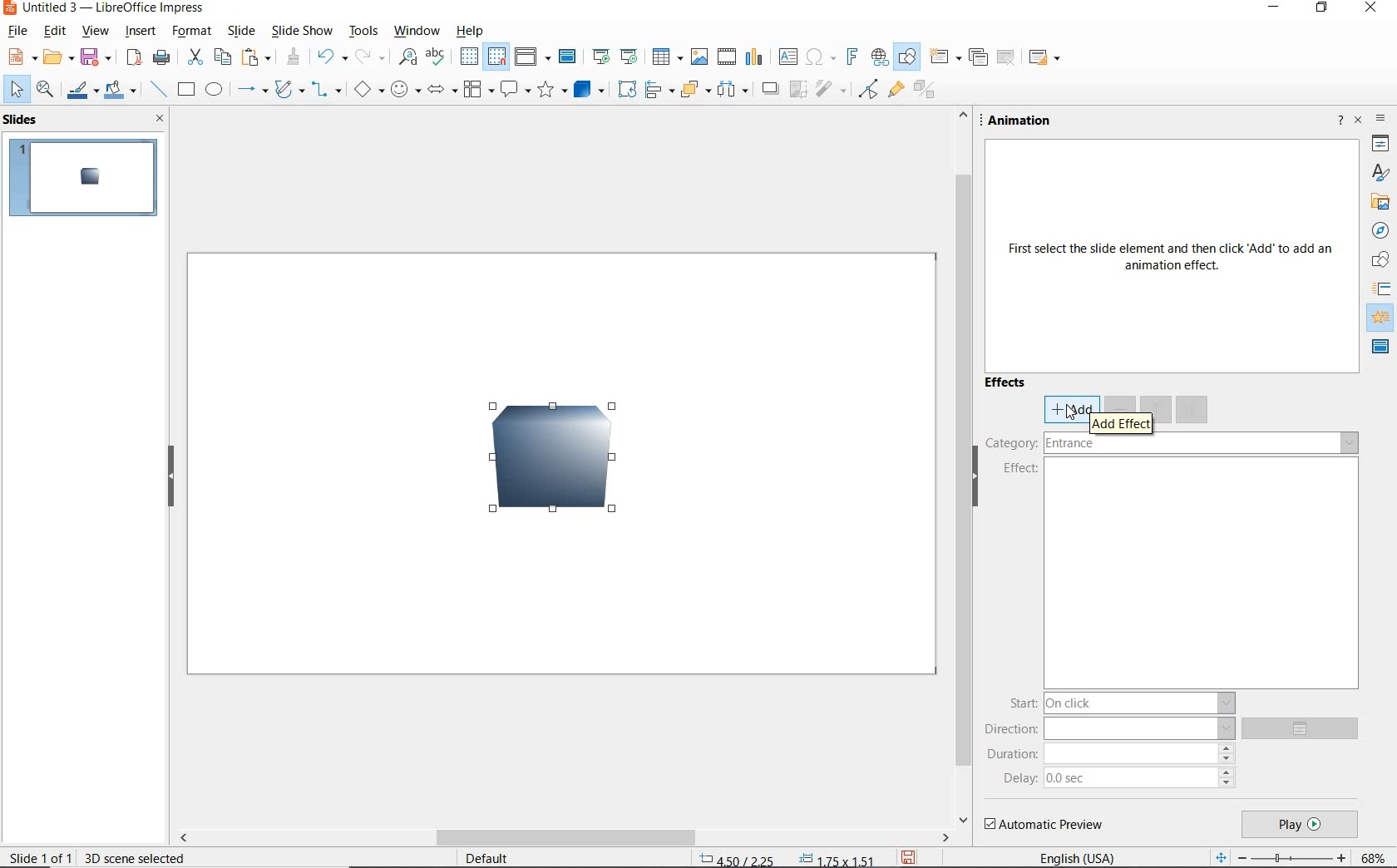 The width and height of the screenshot is (1397, 868). I want to click on info on animation, so click(1173, 259).